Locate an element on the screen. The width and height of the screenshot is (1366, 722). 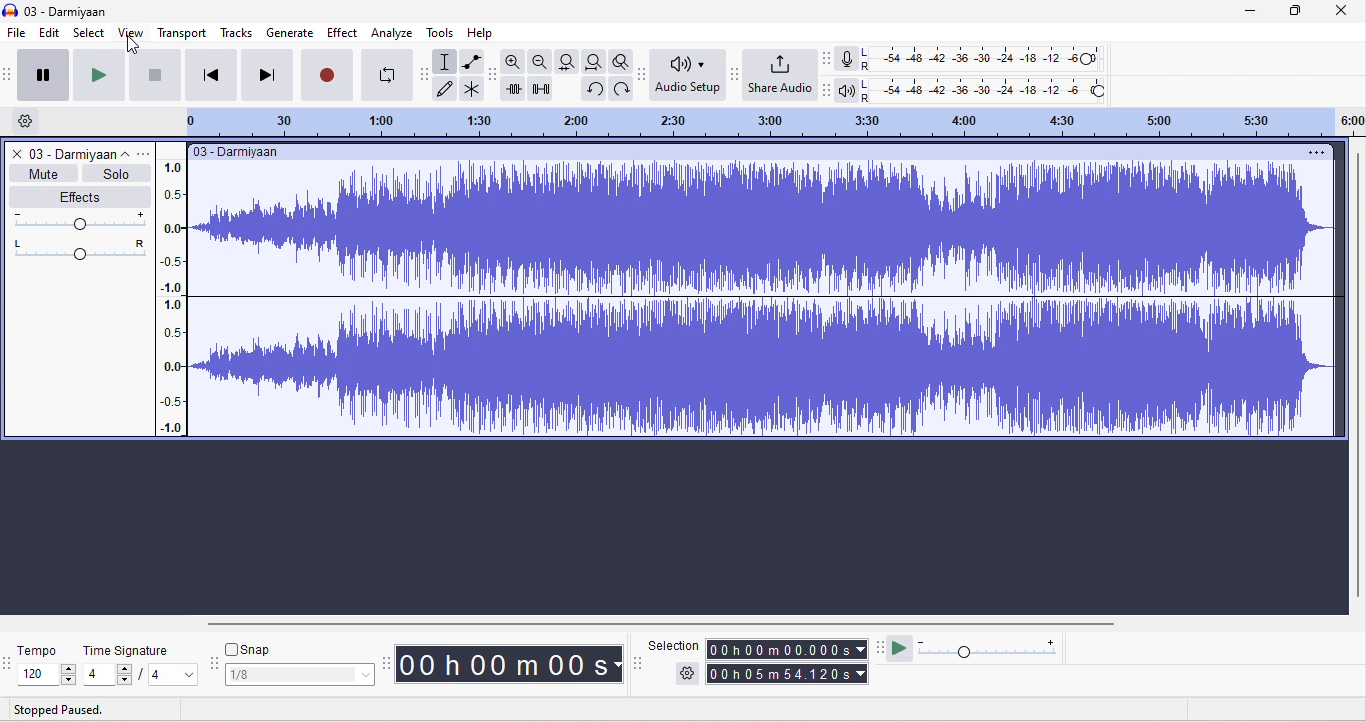
horizontal scroll bar is located at coordinates (663, 625).